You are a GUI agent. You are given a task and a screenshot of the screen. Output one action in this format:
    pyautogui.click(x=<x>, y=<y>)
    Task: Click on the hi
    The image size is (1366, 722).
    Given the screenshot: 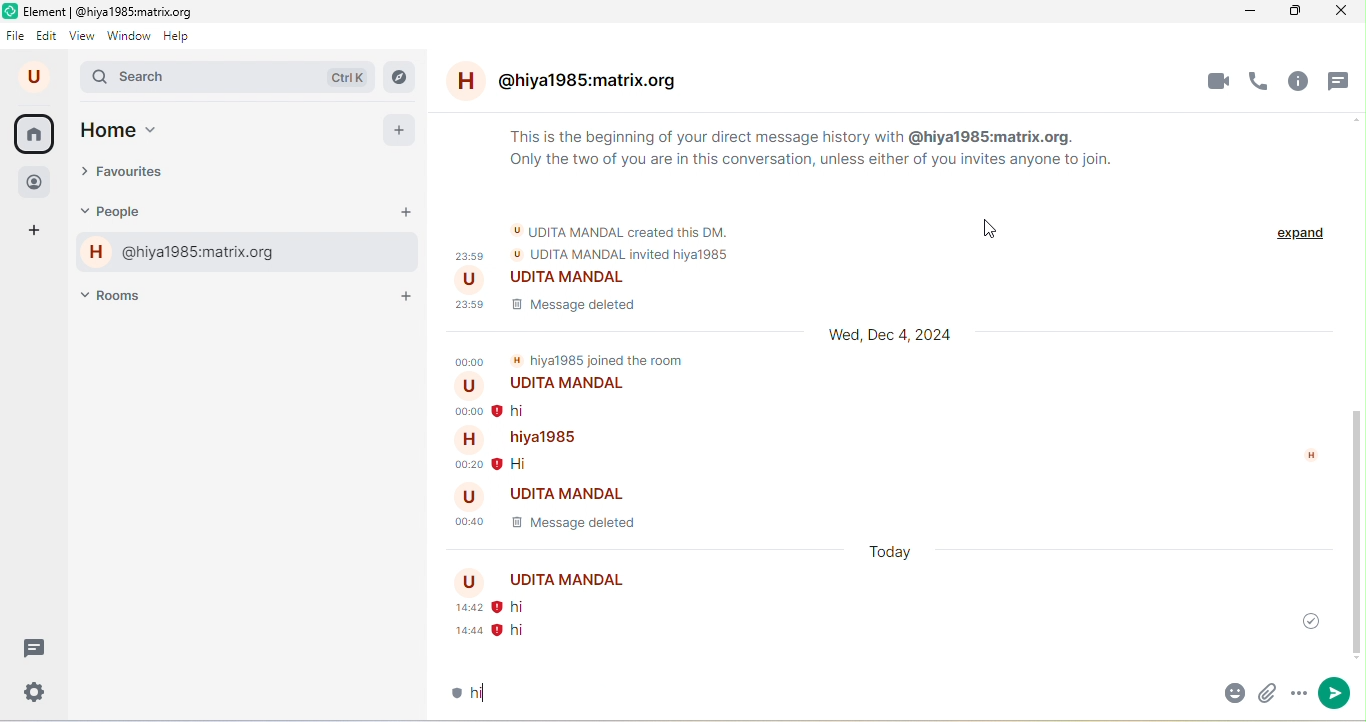 What is the action you would take?
    pyautogui.click(x=523, y=607)
    